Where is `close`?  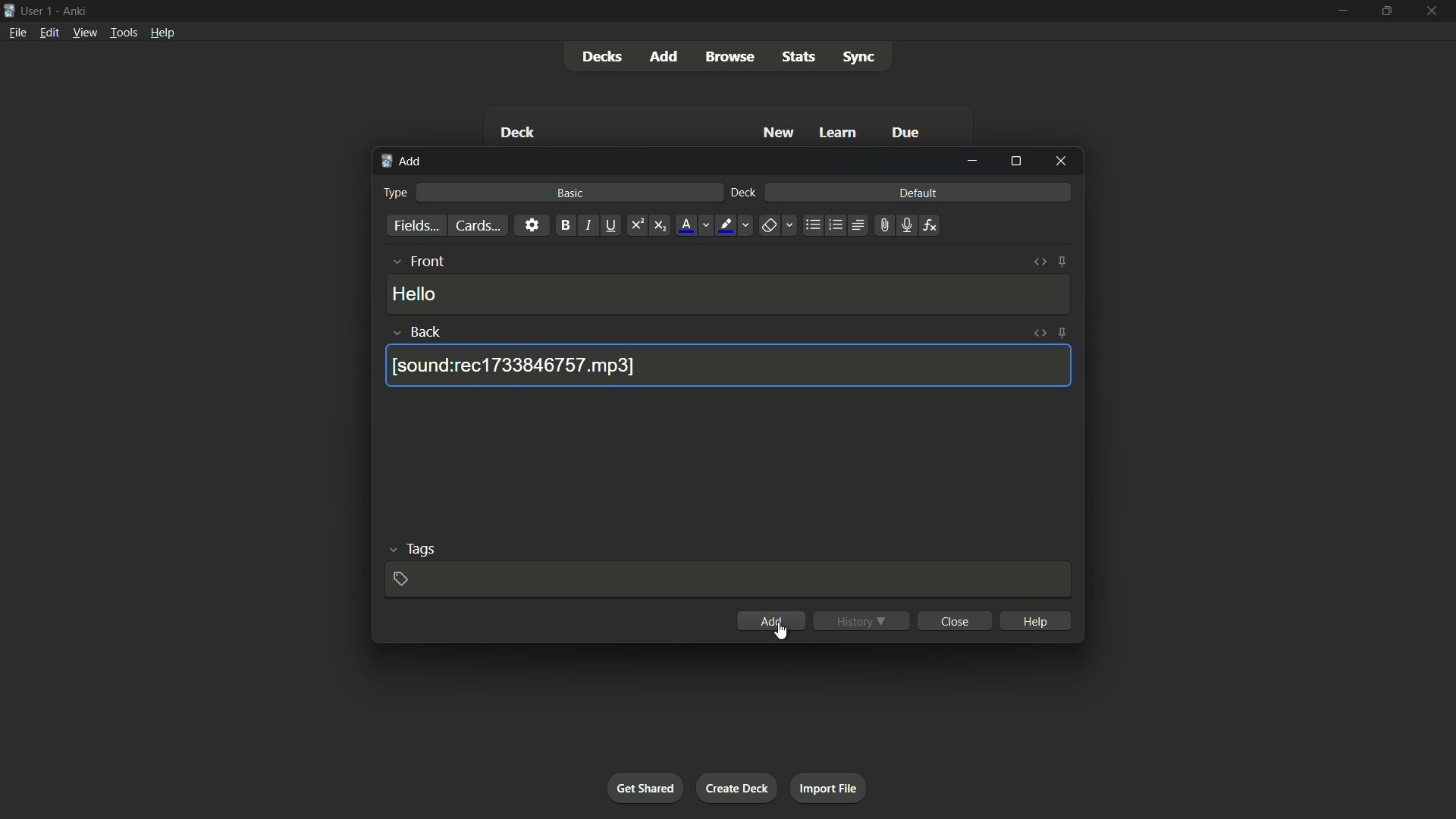
close is located at coordinates (957, 620).